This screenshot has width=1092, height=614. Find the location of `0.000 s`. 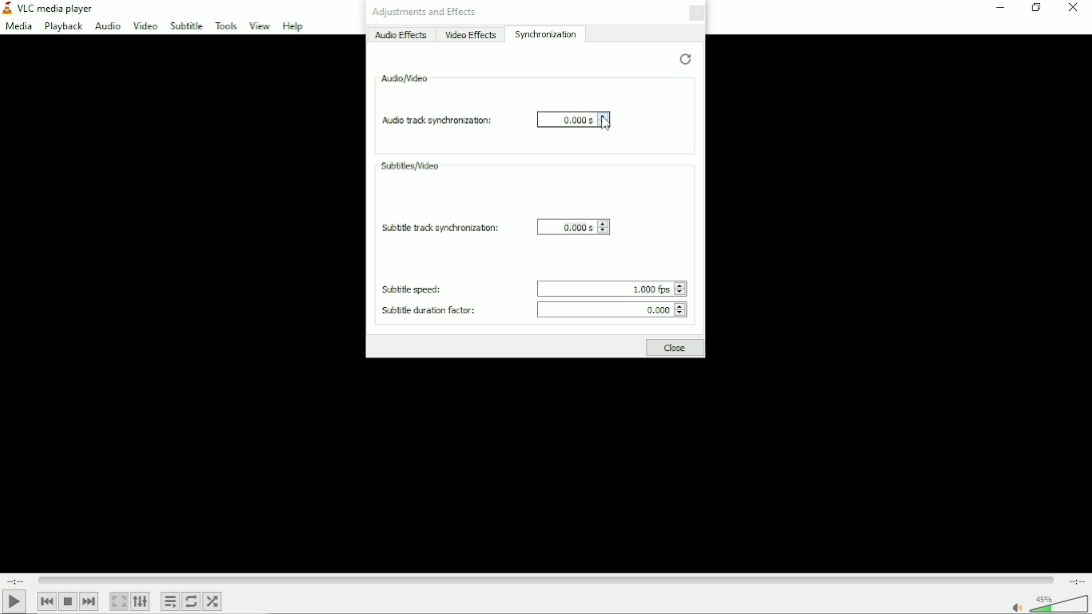

0.000 s is located at coordinates (572, 118).